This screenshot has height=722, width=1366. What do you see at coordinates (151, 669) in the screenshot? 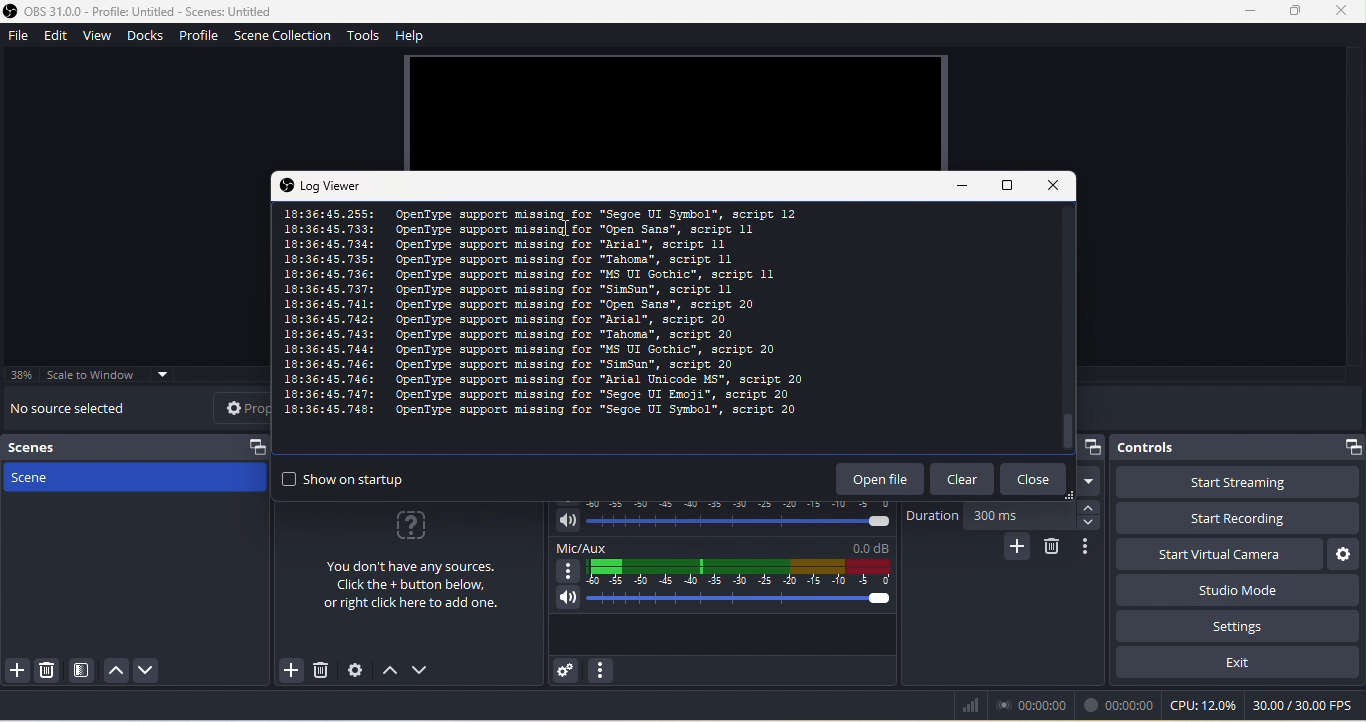
I see `down` at bounding box center [151, 669].